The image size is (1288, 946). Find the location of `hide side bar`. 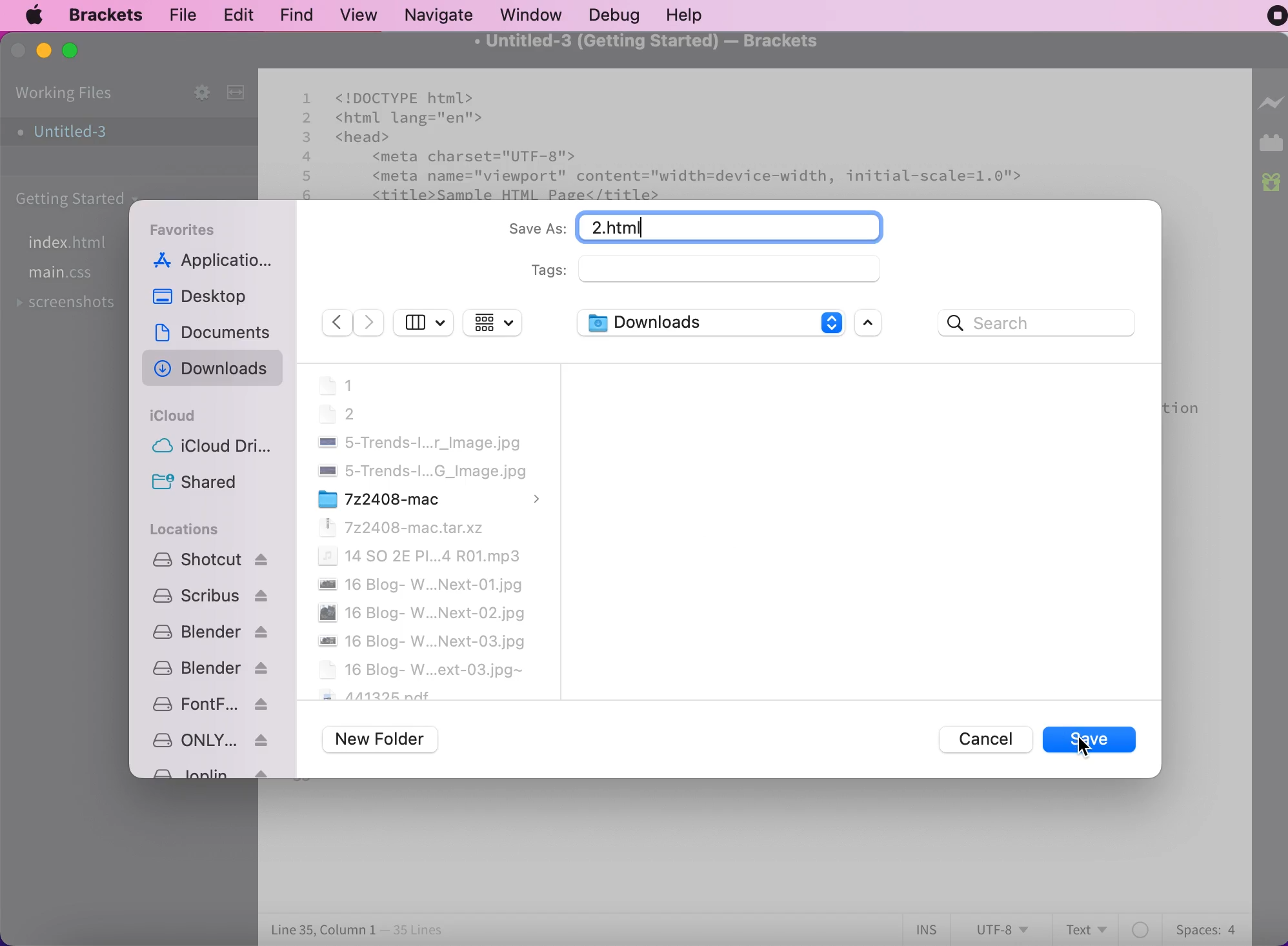

hide side bar is located at coordinates (424, 324).